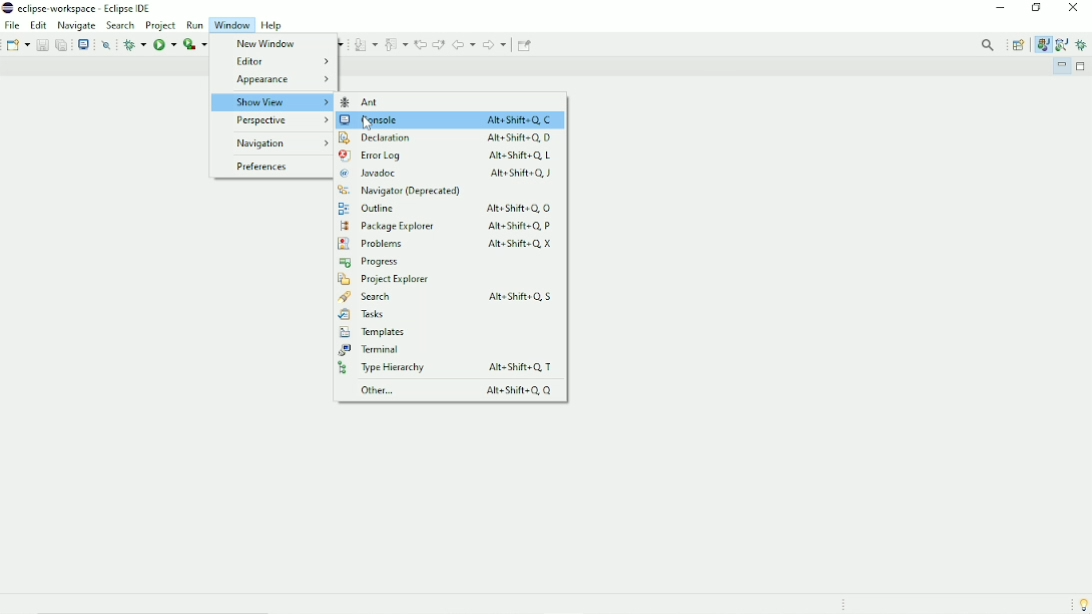 This screenshot has width=1092, height=614. What do you see at coordinates (420, 45) in the screenshot?
I see `Previous edit location` at bounding box center [420, 45].